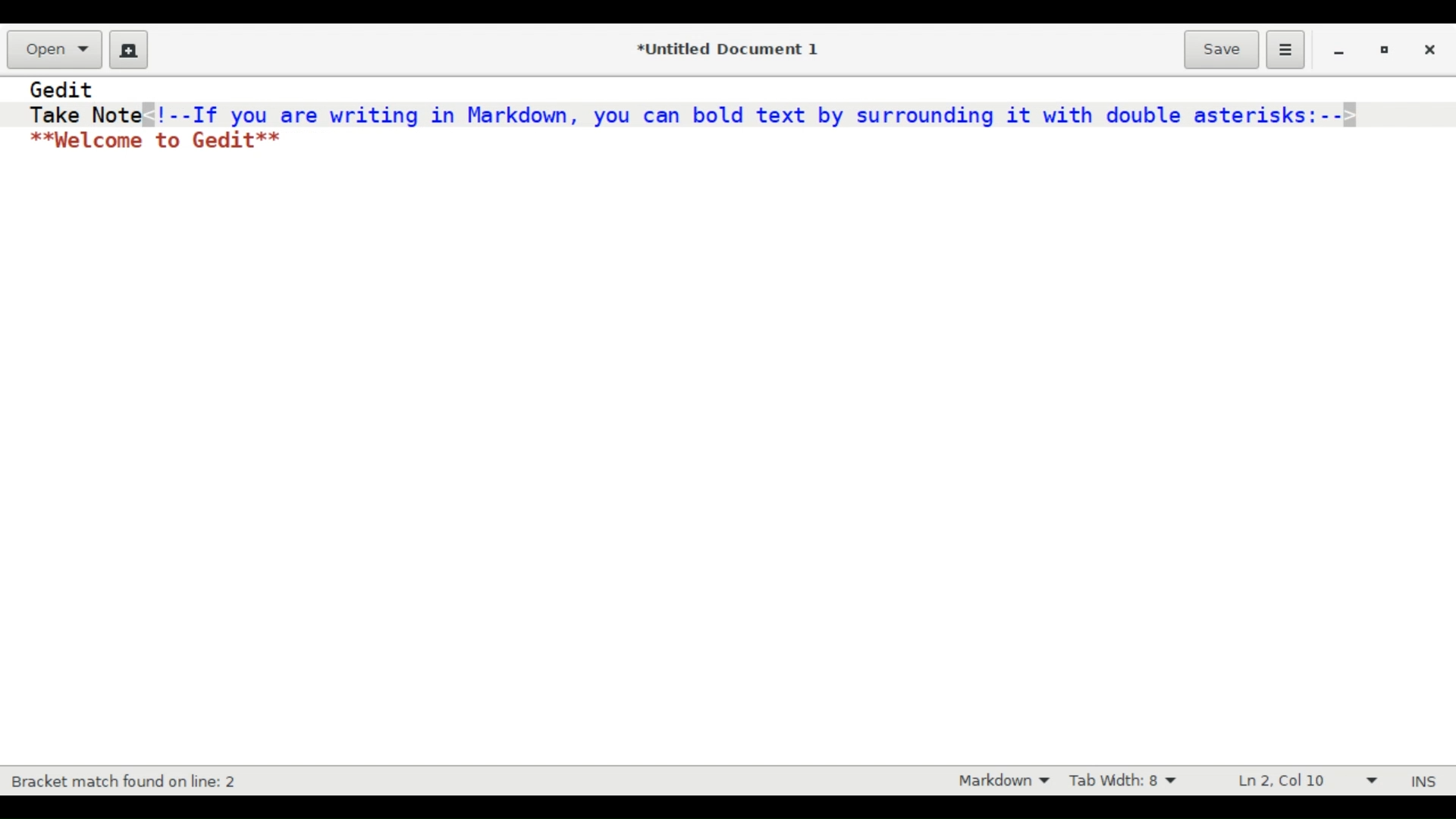 This screenshot has width=1456, height=819. What do you see at coordinates (1431, 50) in the screenshot?
I see `Close` at bounding box center [1431, 50].